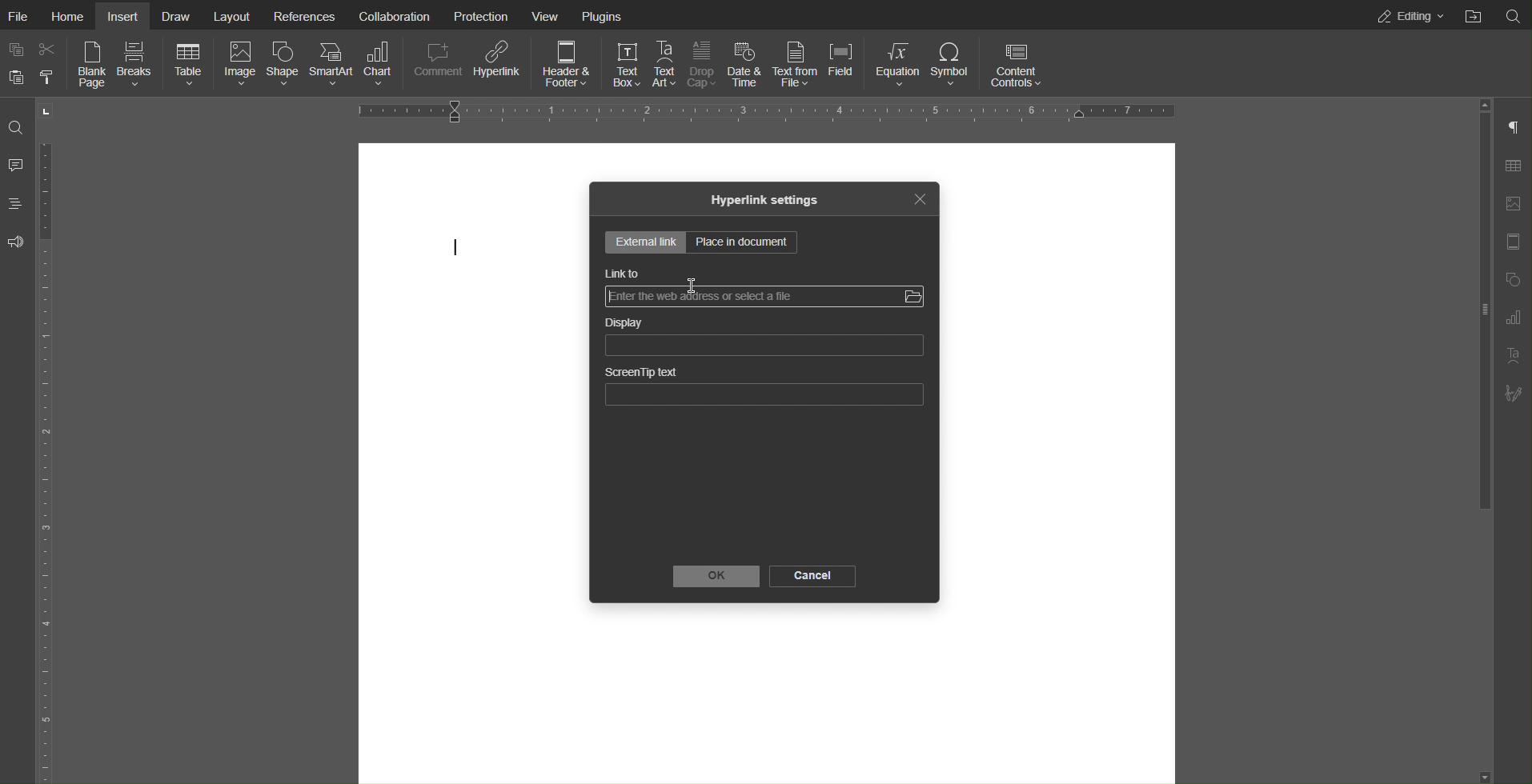  I want to click on Hyperlink, so click(497, 64).